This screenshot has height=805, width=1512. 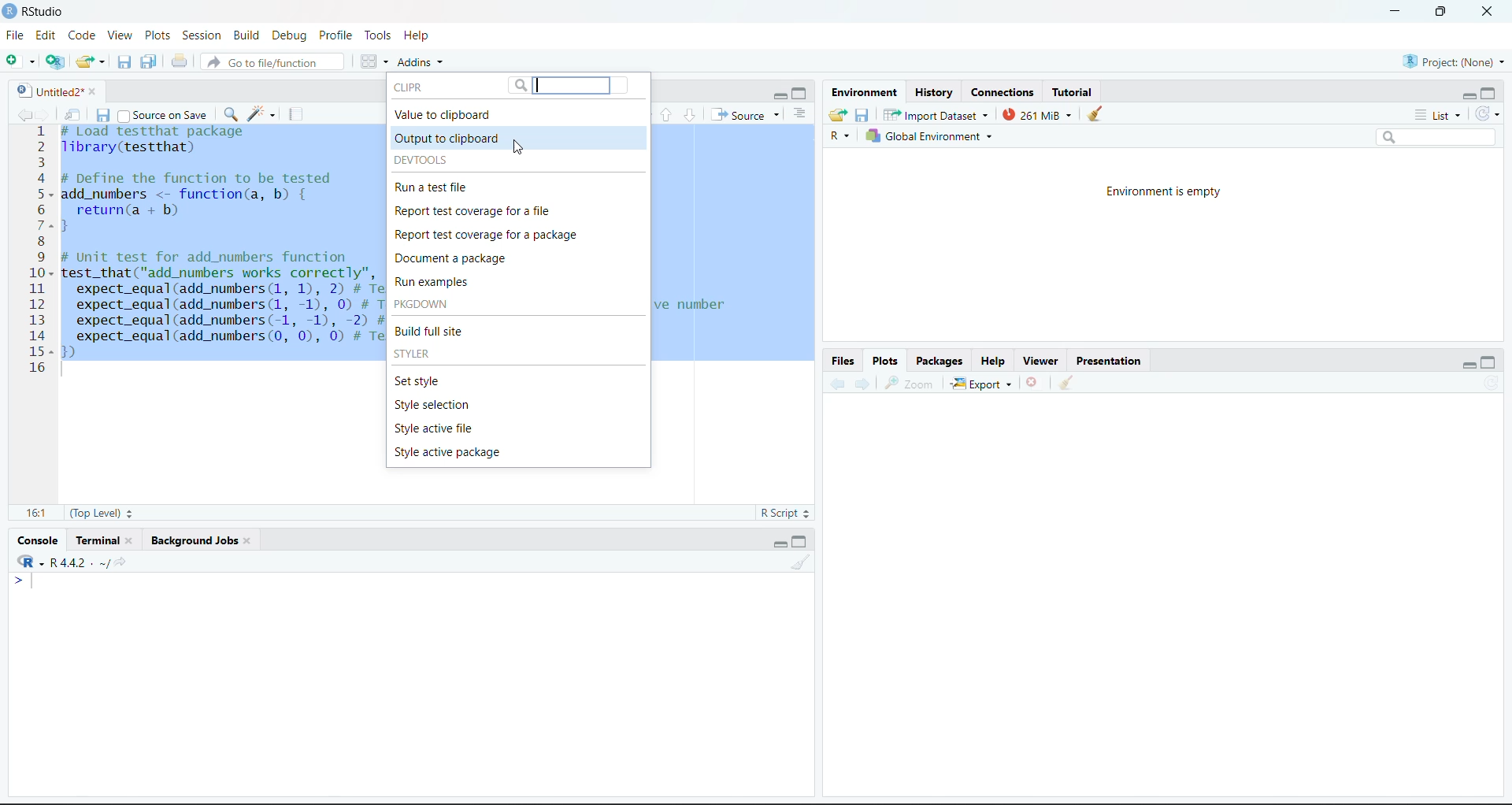 What do you see at coordinates (104, 540) in the screenshot?
I see `Terminal` at bounding box center [104, 540].